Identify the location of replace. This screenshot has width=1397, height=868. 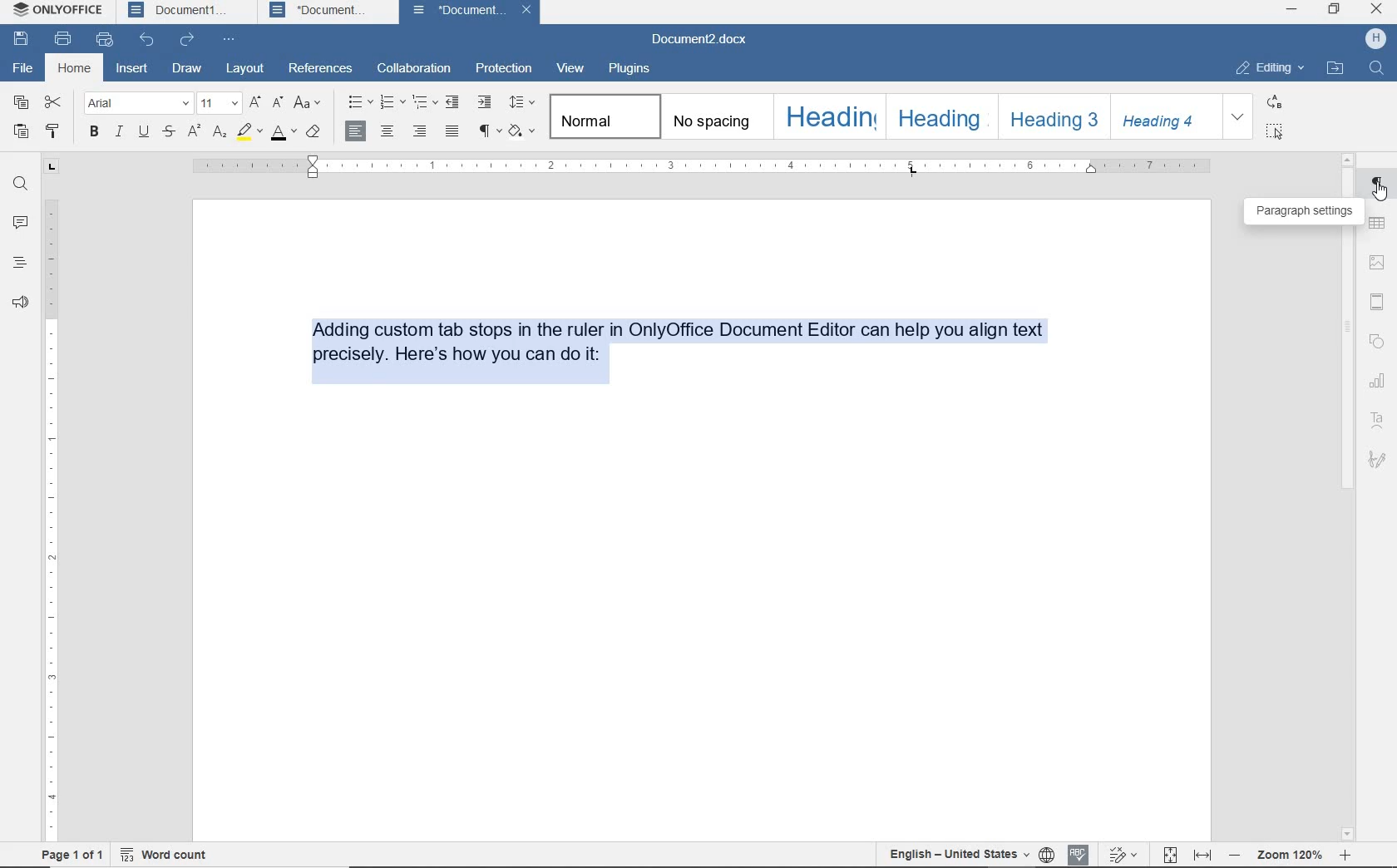
(1276, 103).